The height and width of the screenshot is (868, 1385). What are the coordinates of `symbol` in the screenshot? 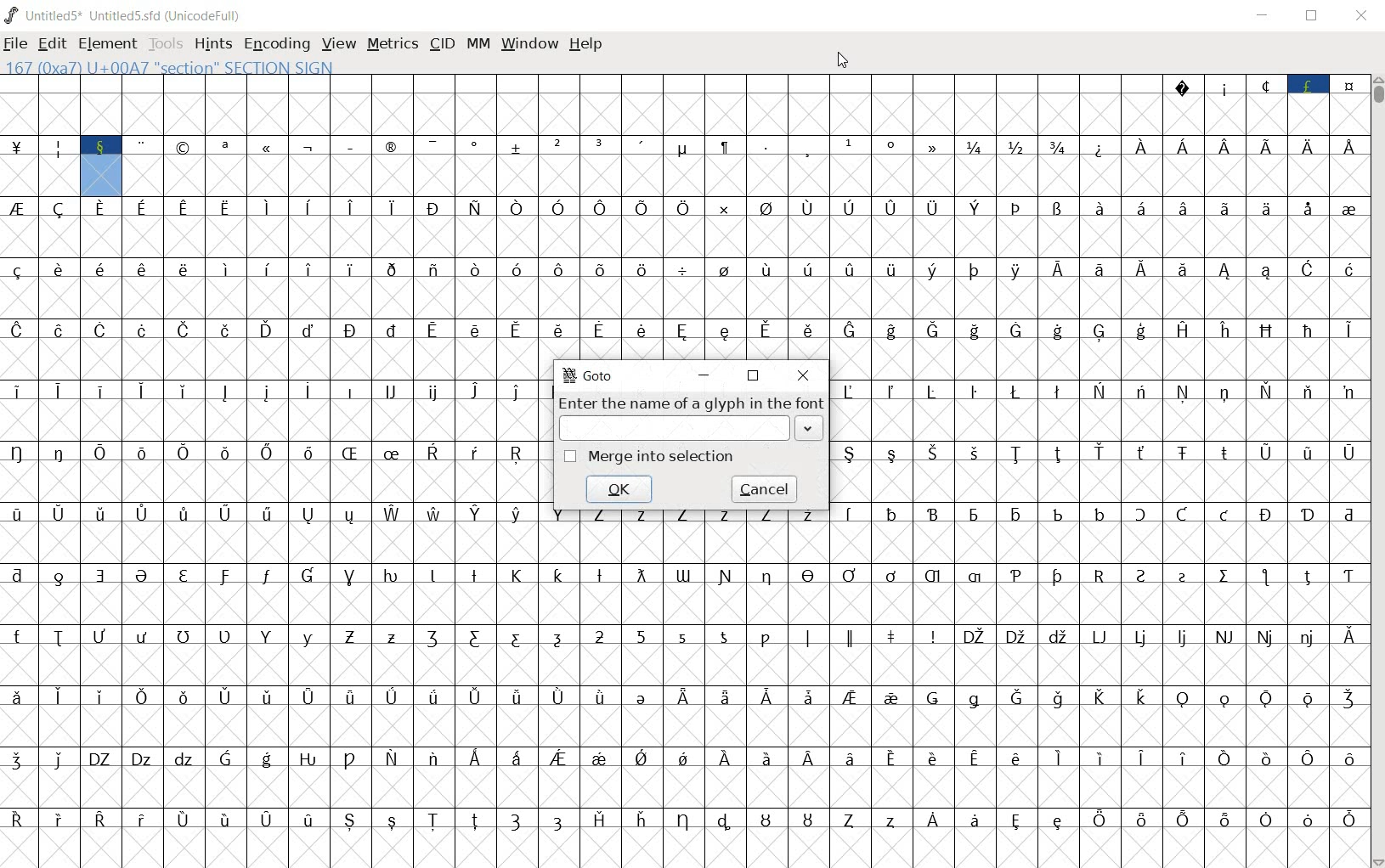 It's located at (726, 288).